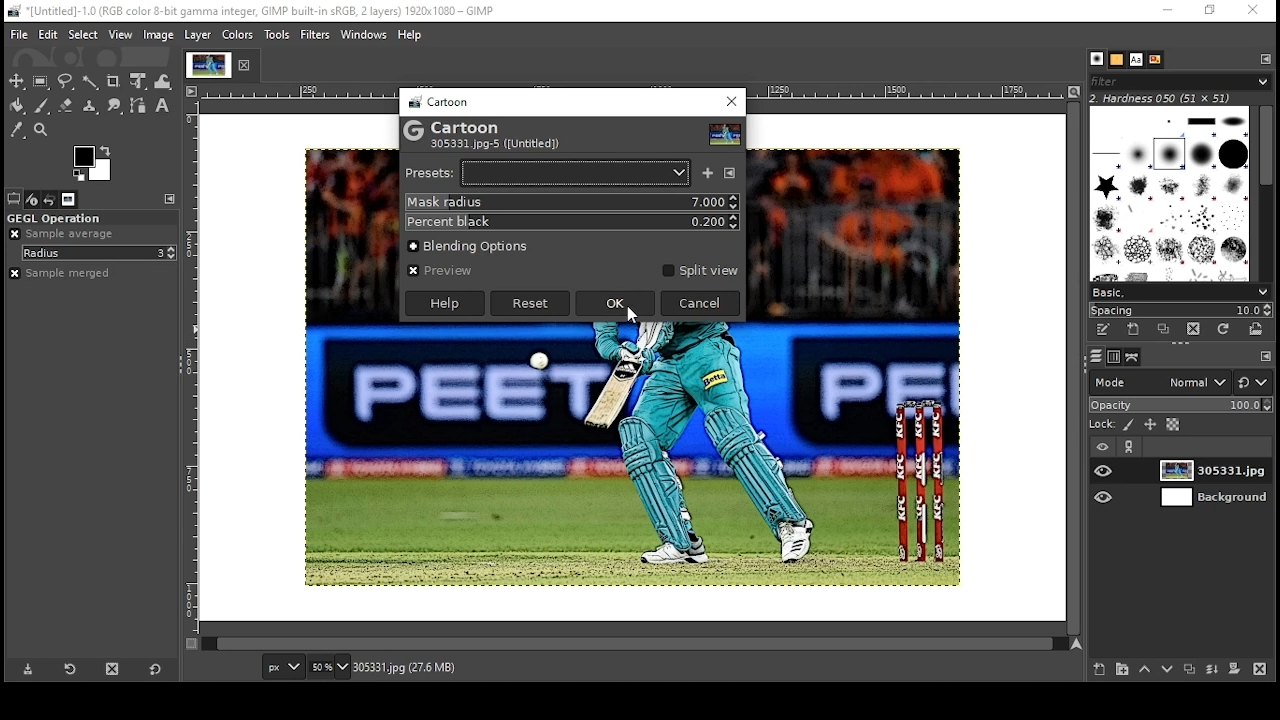  Describe the element at coordinates (330, 667) in the screenshot. I see `zoom level` at that location.